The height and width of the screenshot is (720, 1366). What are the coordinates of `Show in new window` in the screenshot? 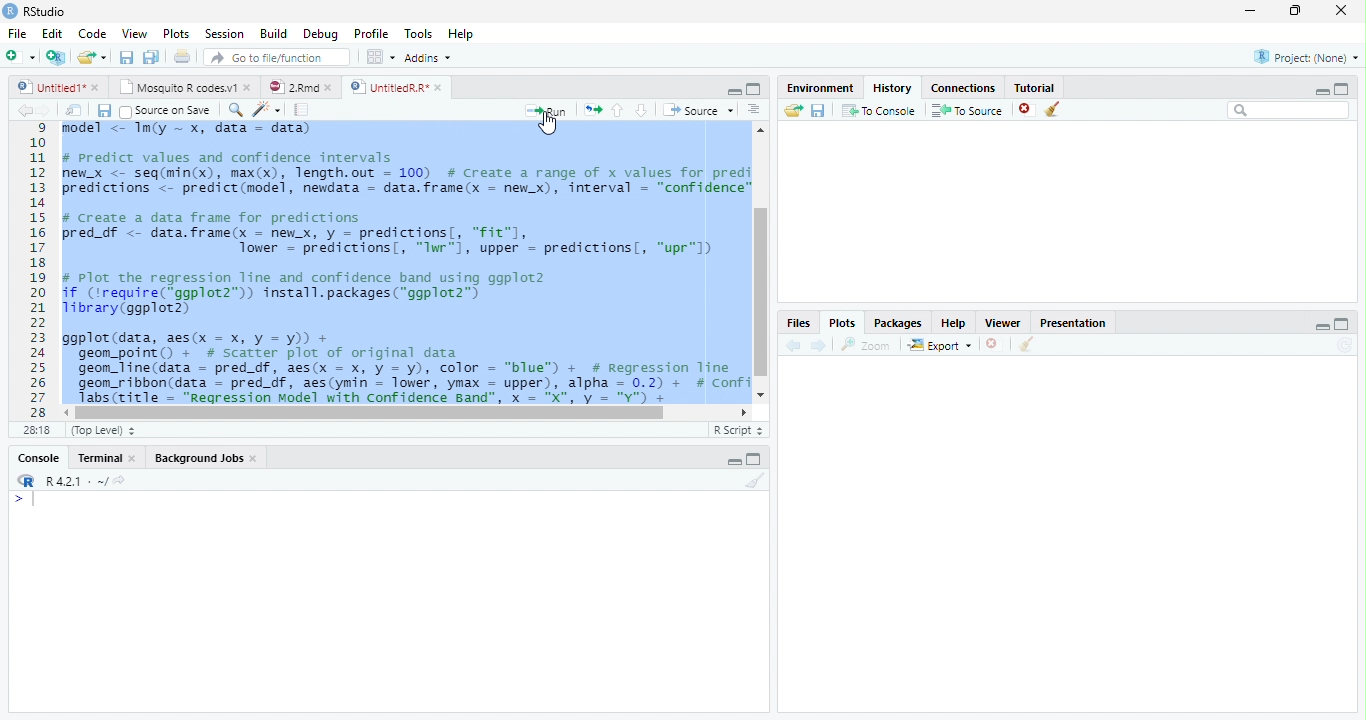 It's located at (74, 111).